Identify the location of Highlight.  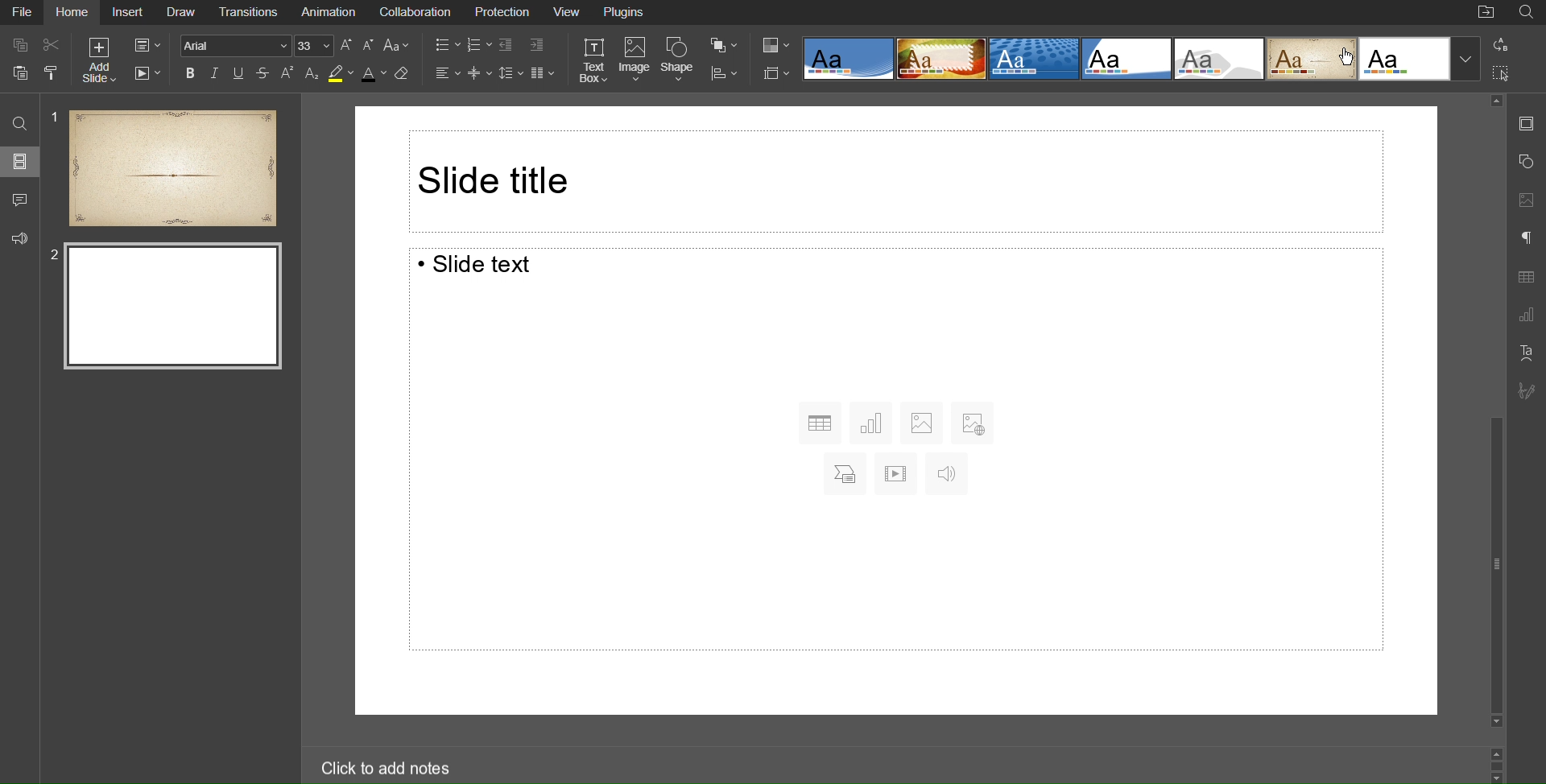
(340, 74).